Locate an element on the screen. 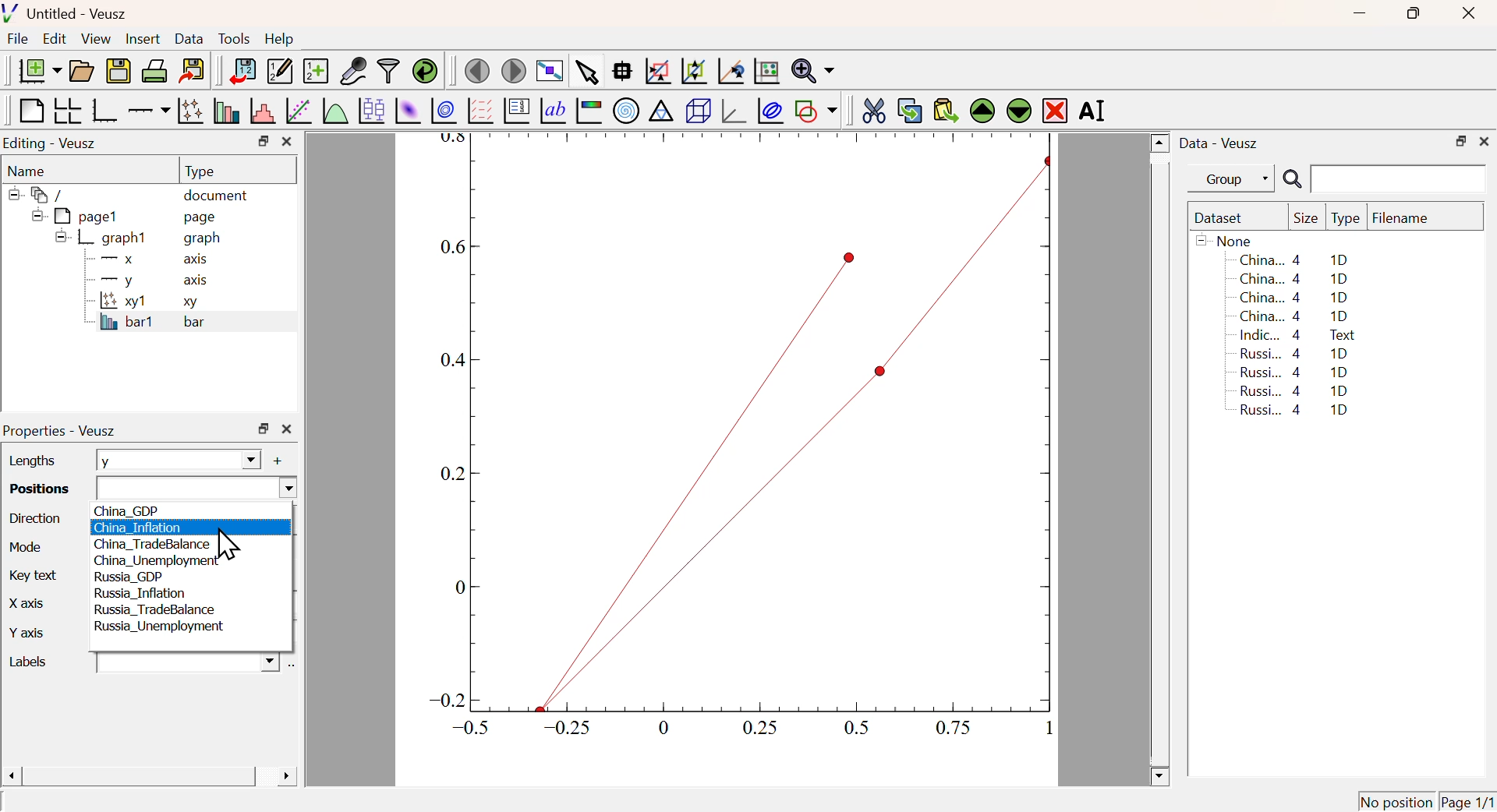  Filter Data is located at coordinates (388, 69).